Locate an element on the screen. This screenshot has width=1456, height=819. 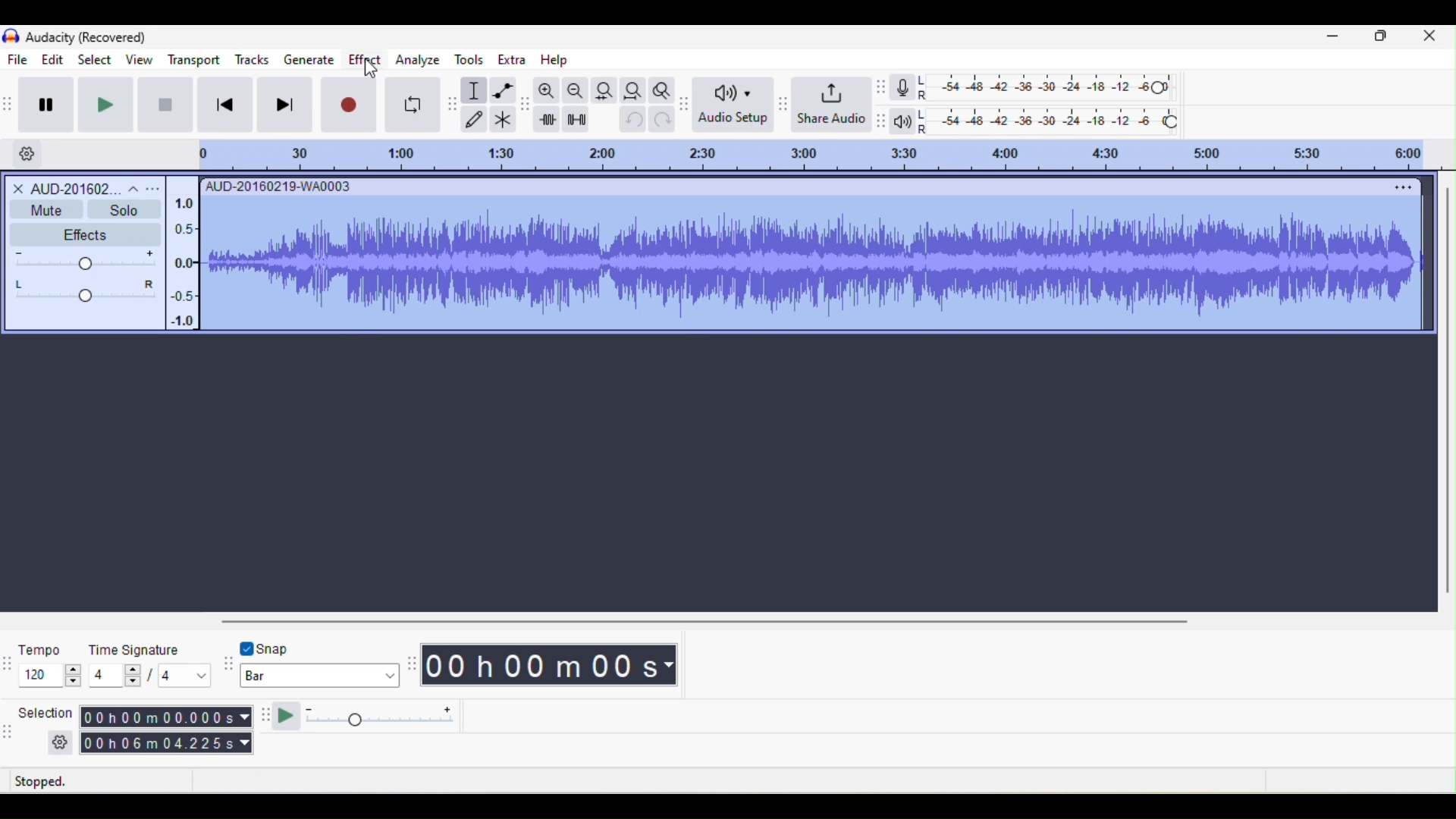
analyze is located at coordinates (417, 62).